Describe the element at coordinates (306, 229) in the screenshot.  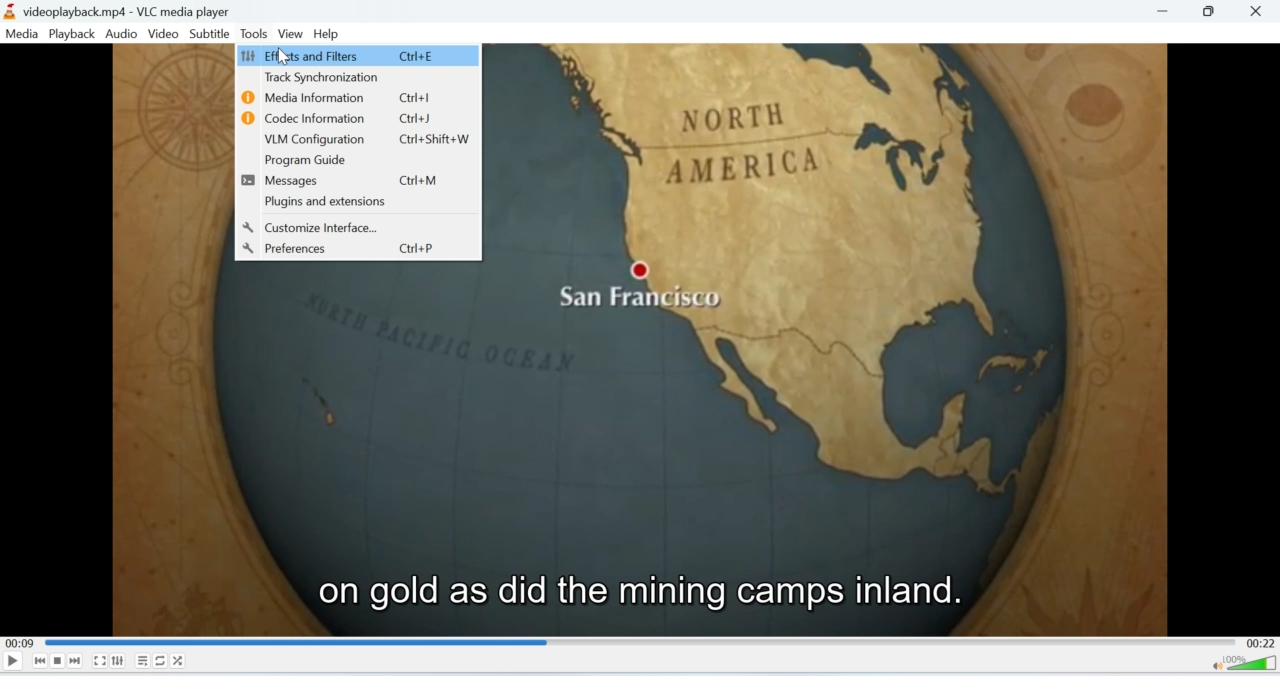
I see `Customize Interface` at that location.